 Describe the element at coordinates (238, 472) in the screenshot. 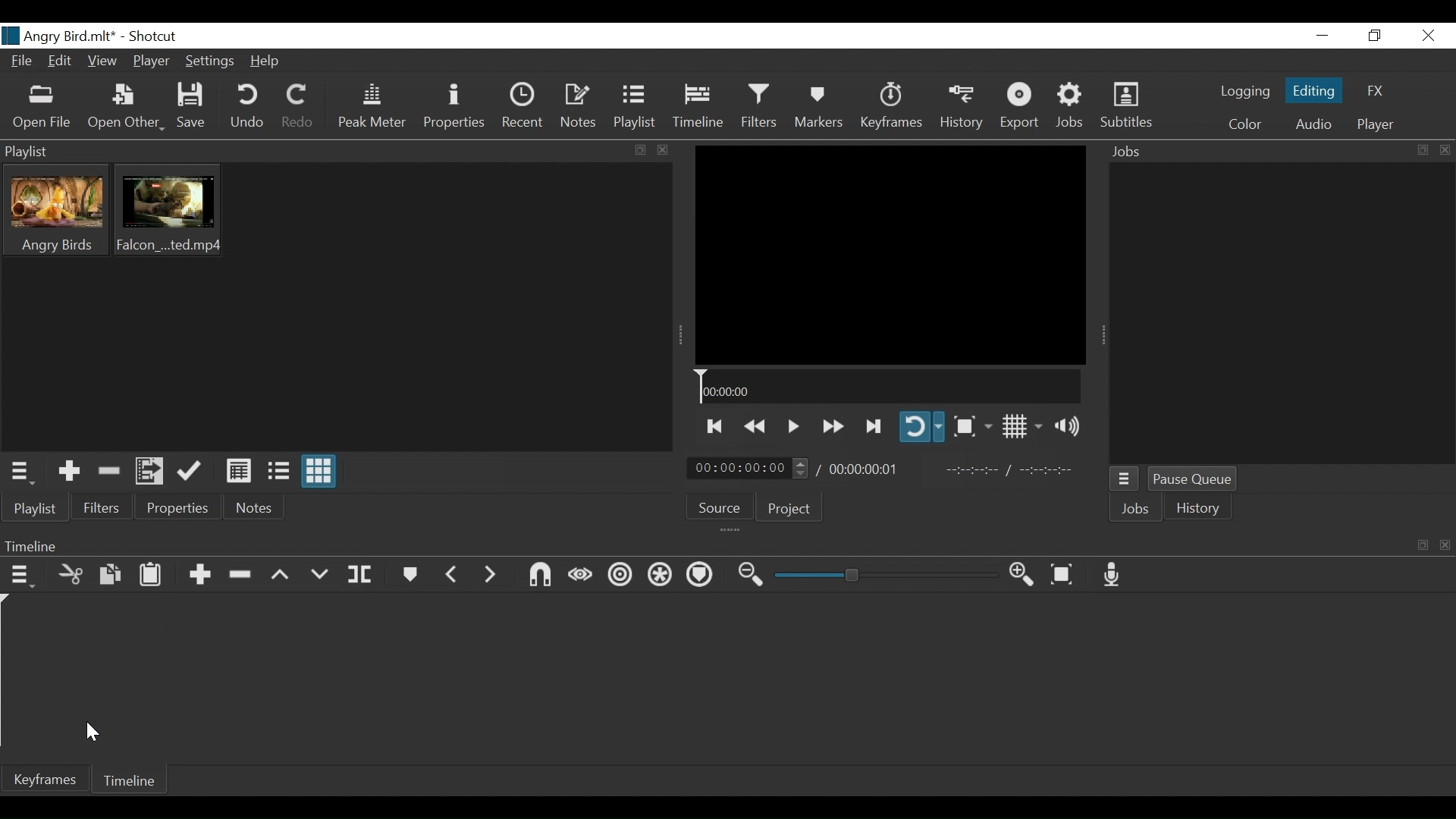

I see `View as Detail` at that location.